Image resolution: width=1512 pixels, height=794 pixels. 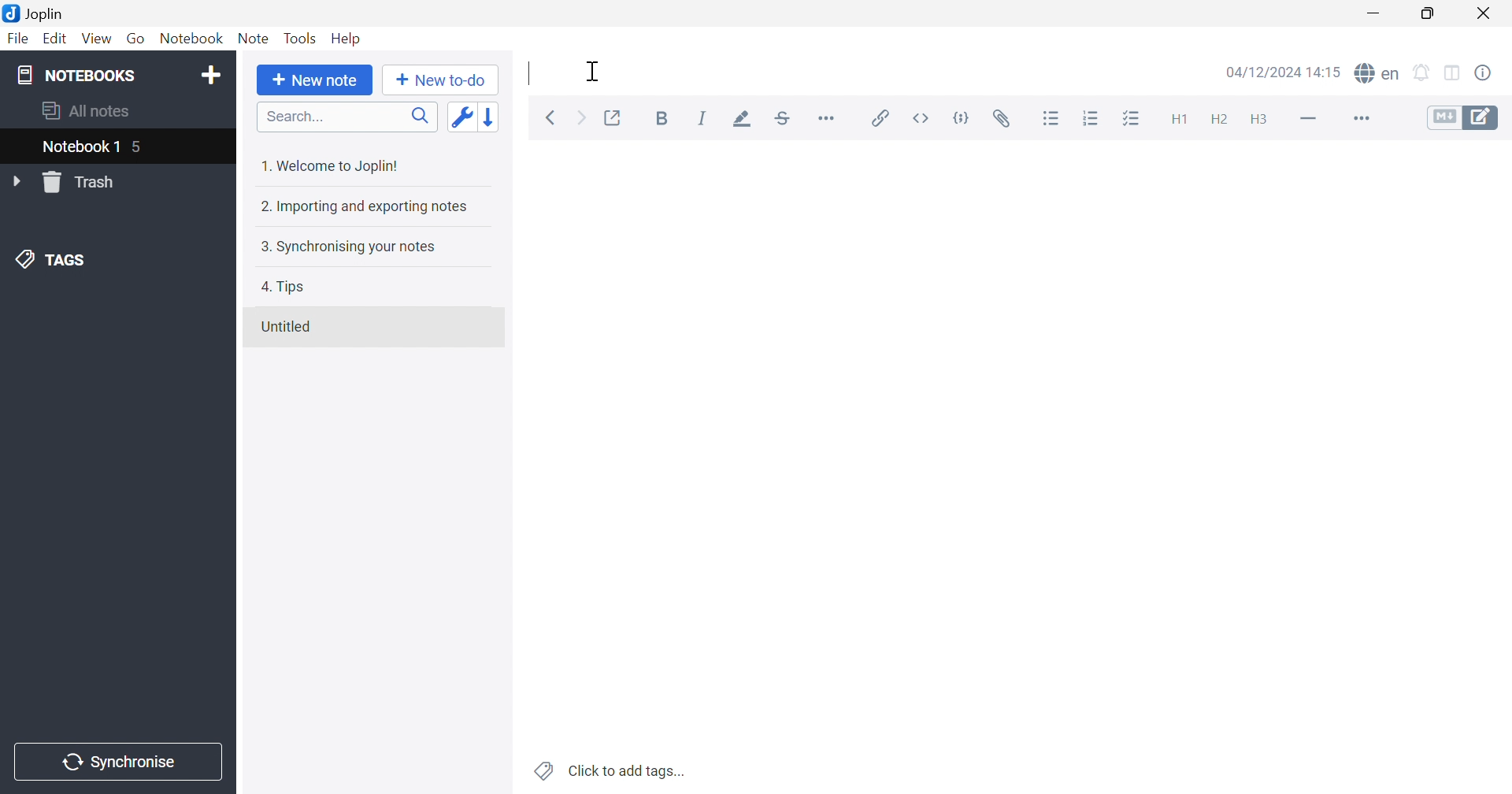 I want to click on Restore down, so click(x=1427, y=13).